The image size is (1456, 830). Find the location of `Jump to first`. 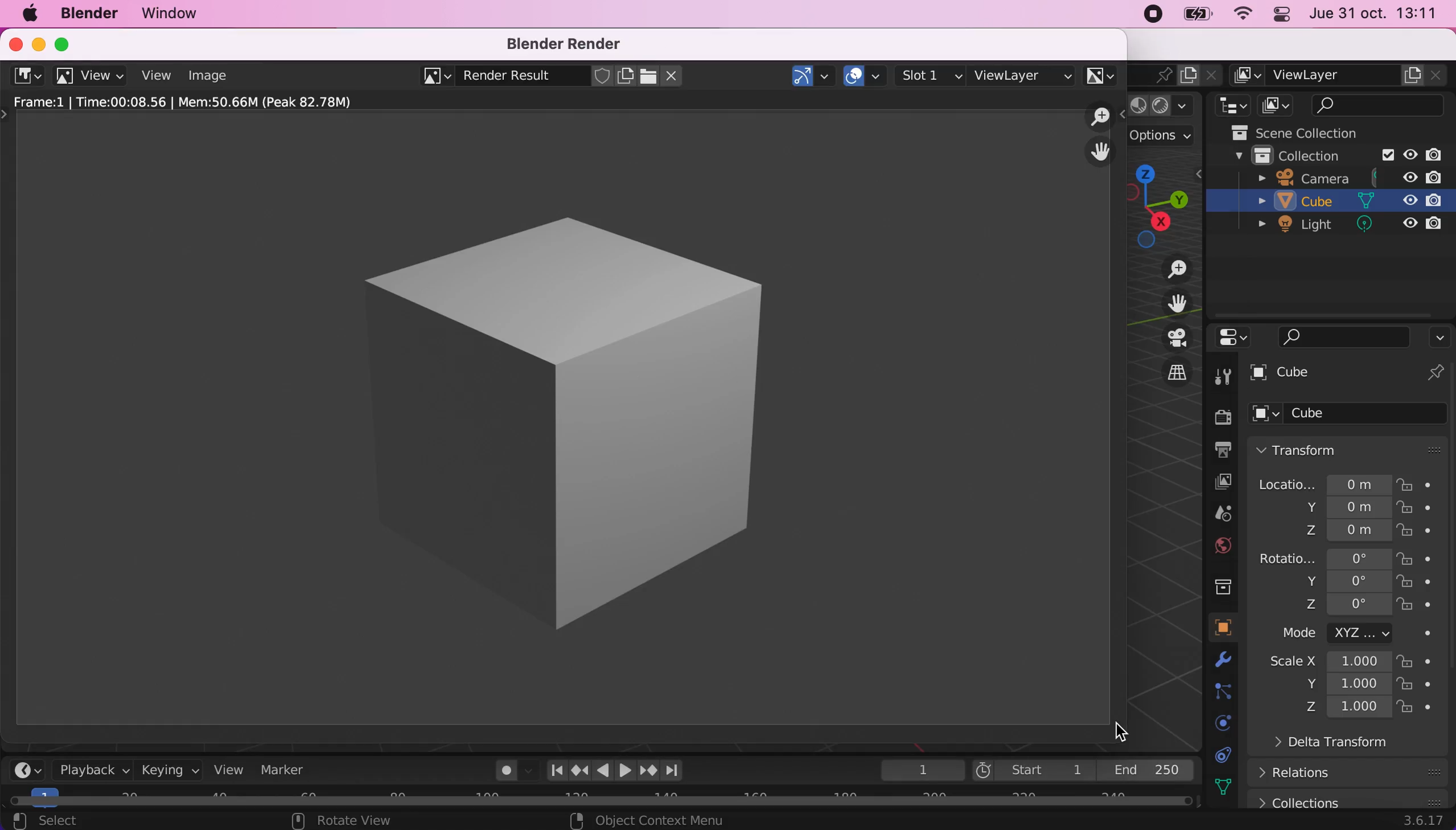

Jump to first is located at coordinates (552, 770).